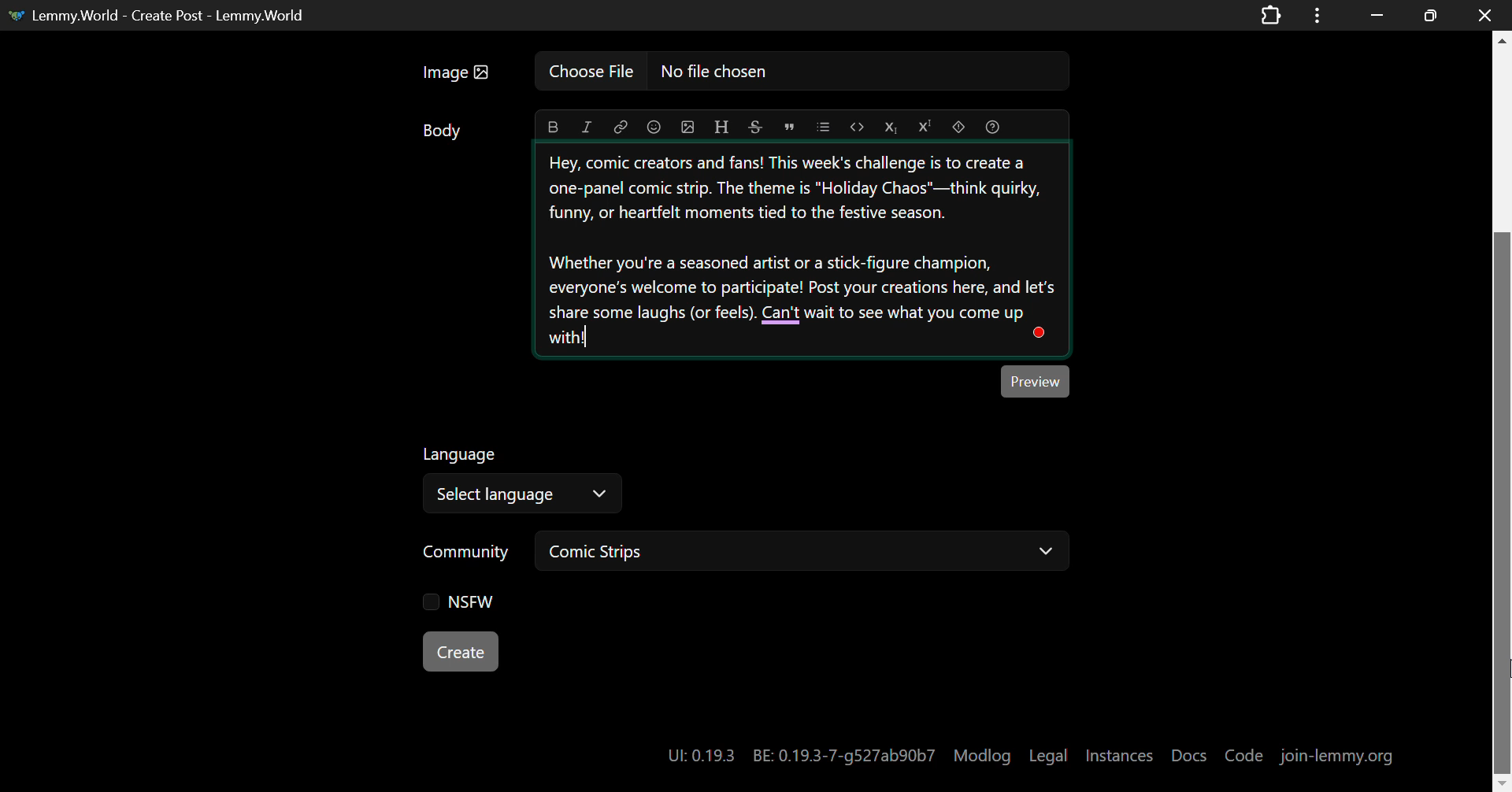 This screenshot has width=1512, height=792. I want to click on UI:0.19.3 BE:0.19.3-7-g527ab90b7, so click(799, 756).